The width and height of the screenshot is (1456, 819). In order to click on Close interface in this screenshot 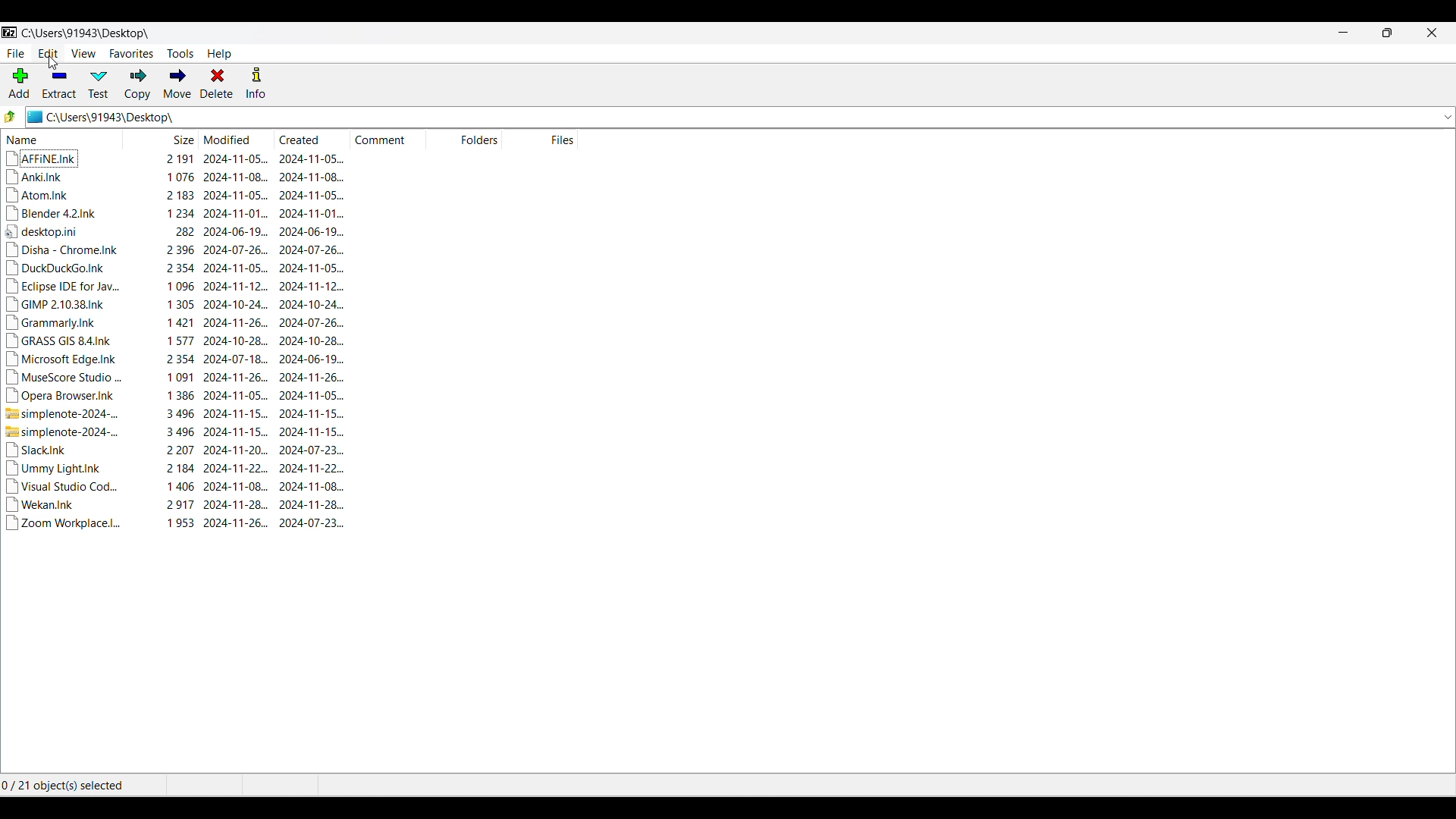, I will do `click(1432, 33)`.